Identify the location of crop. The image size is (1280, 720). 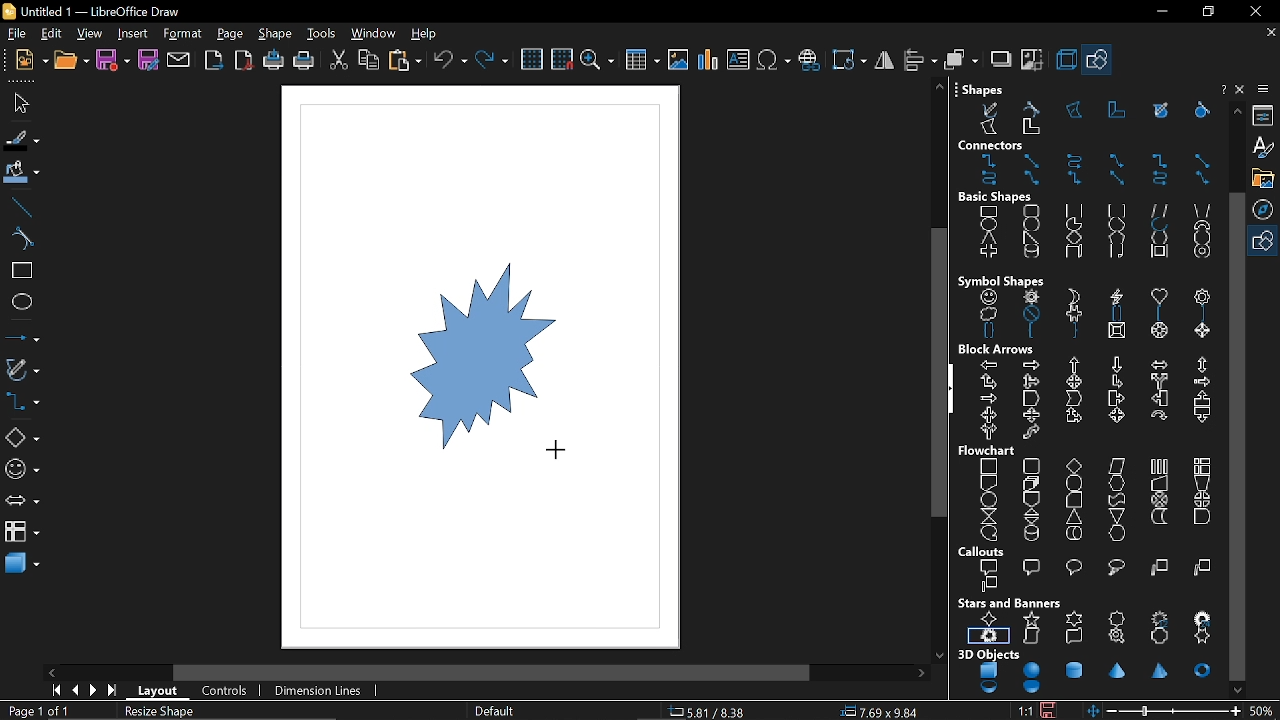
(1034, 63).